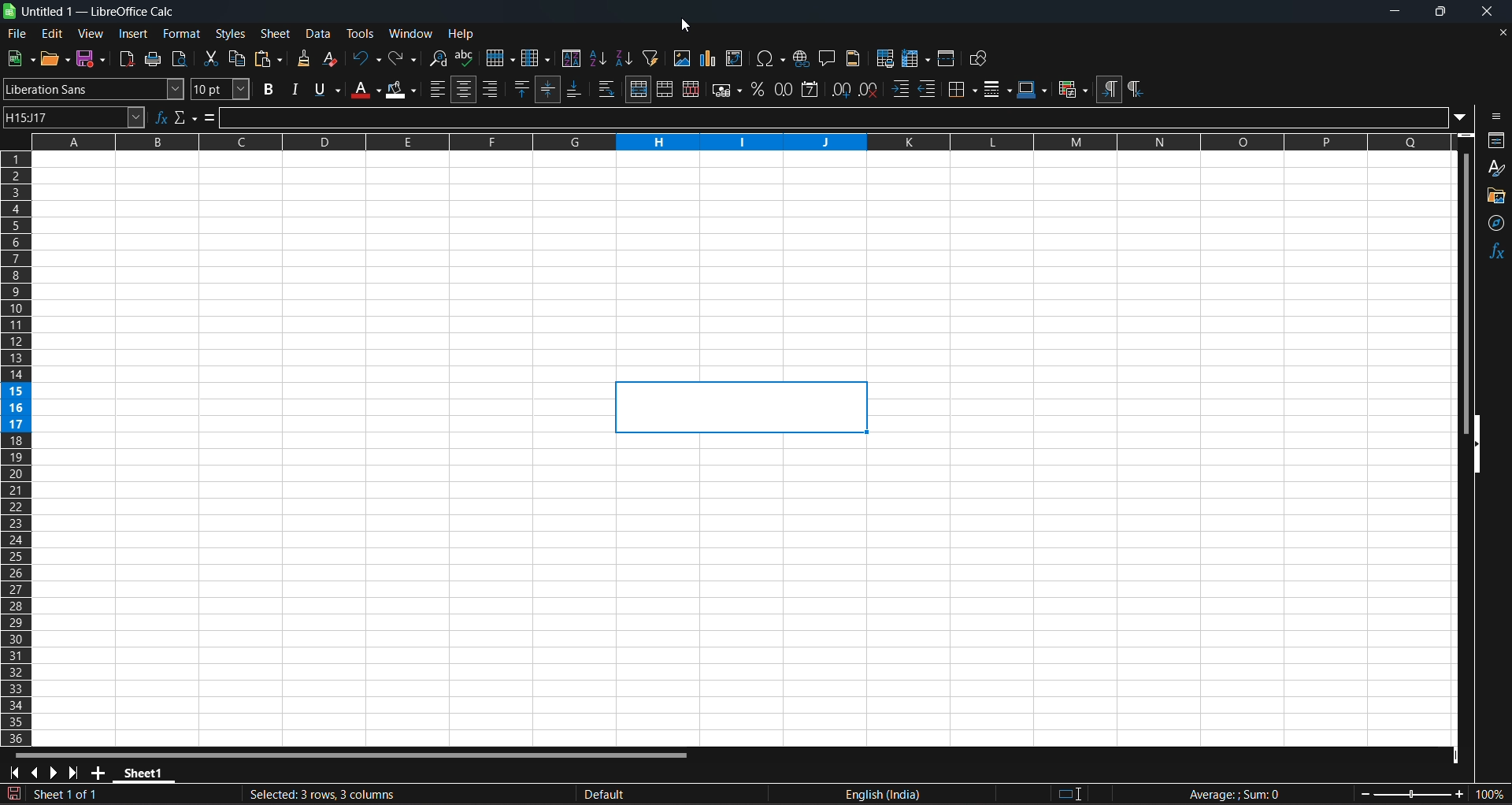  I want to click on file, so click(18, 34).